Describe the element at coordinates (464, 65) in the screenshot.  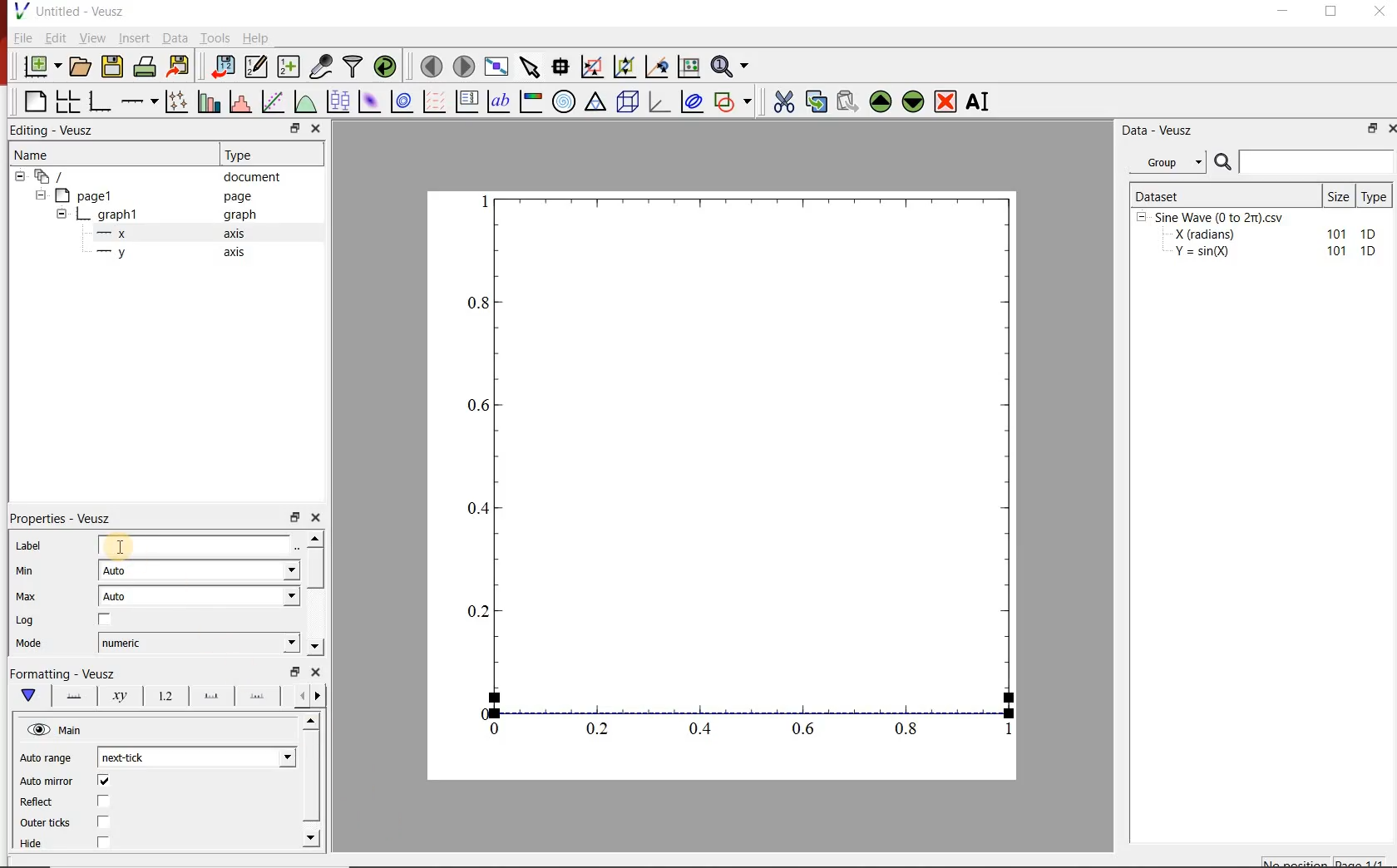
I see `go to next page` at that location.